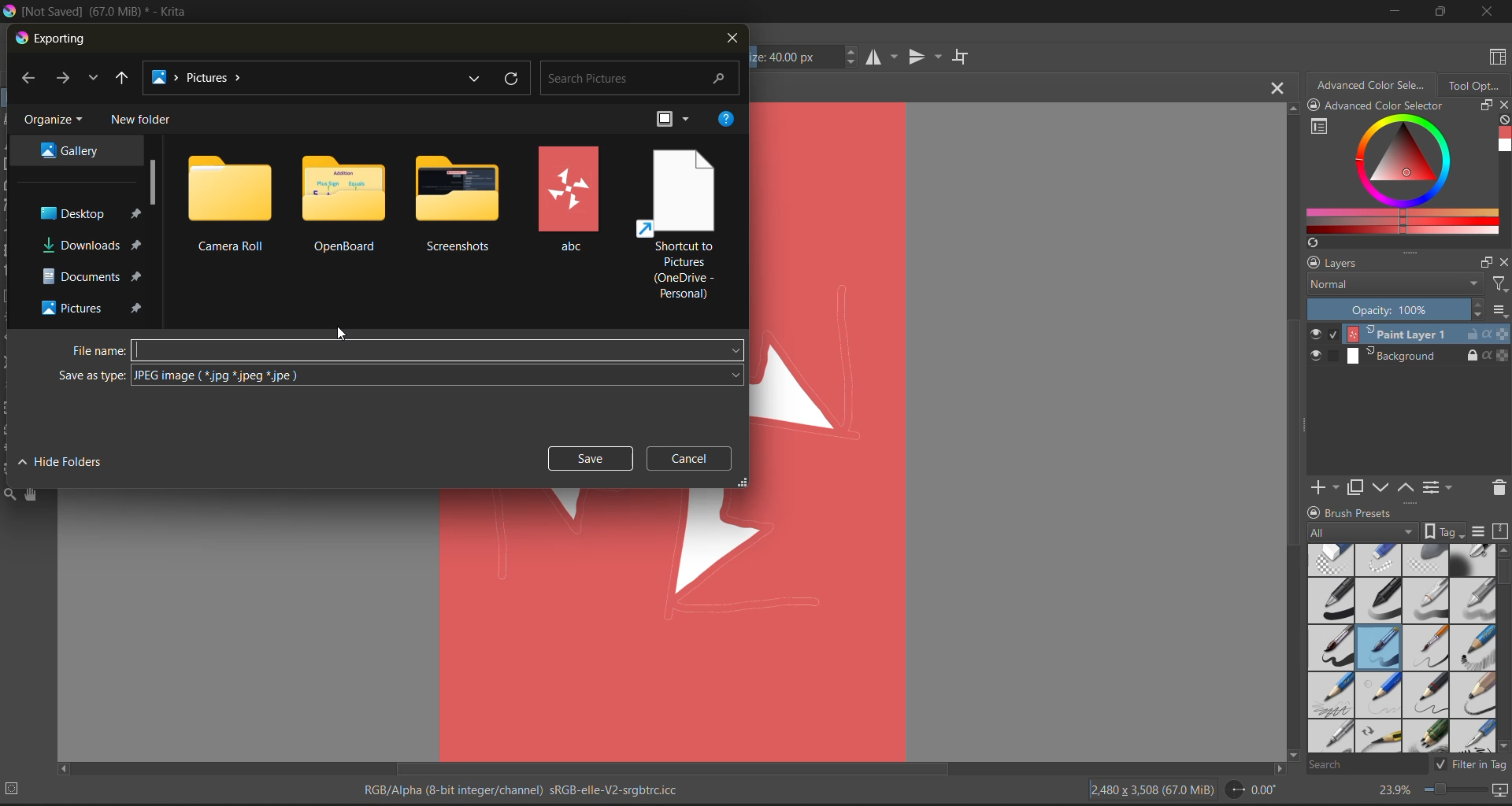 The height and width of the screenshot is (806, 1512). What do you see at coordinates (588, 458) in the screenshot?
I see `save` at bounding box center [588, 458].